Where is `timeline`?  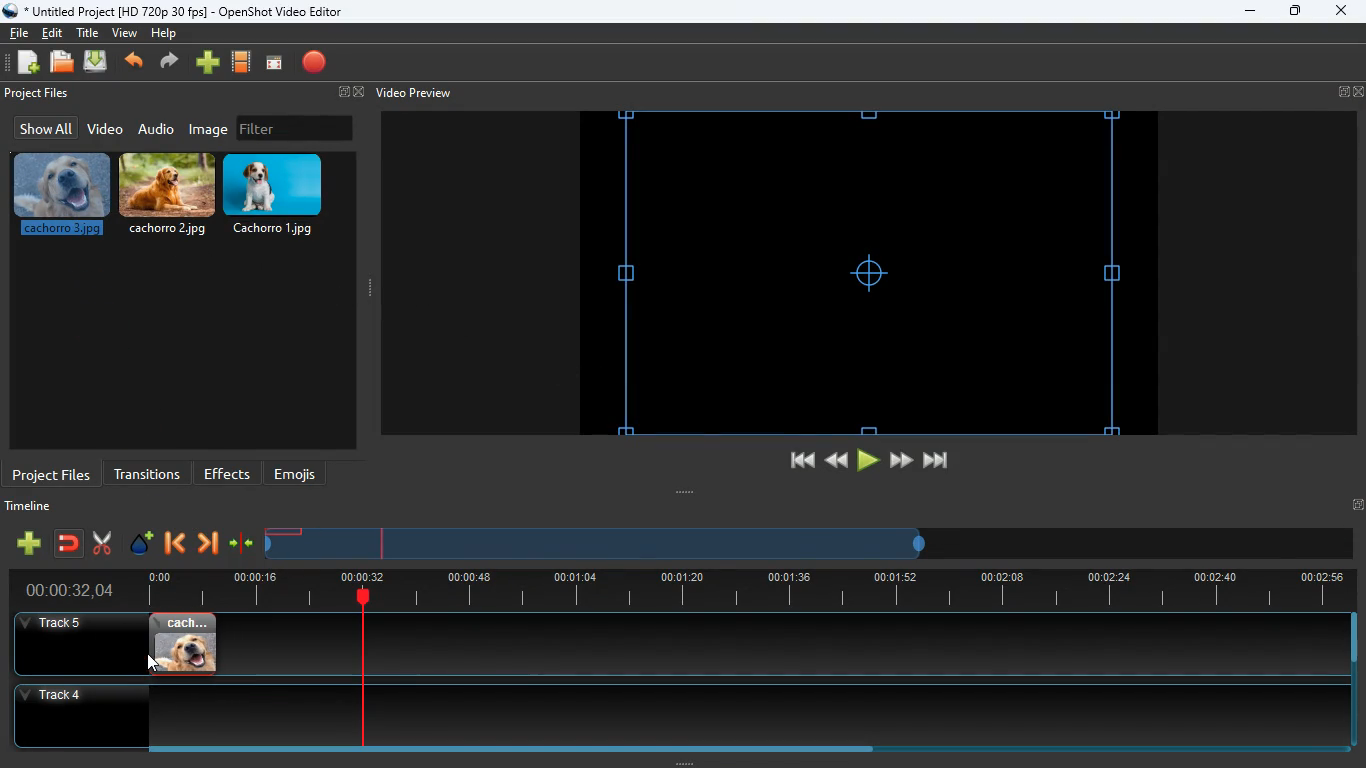 timeline is located at coordinates (33, 509).